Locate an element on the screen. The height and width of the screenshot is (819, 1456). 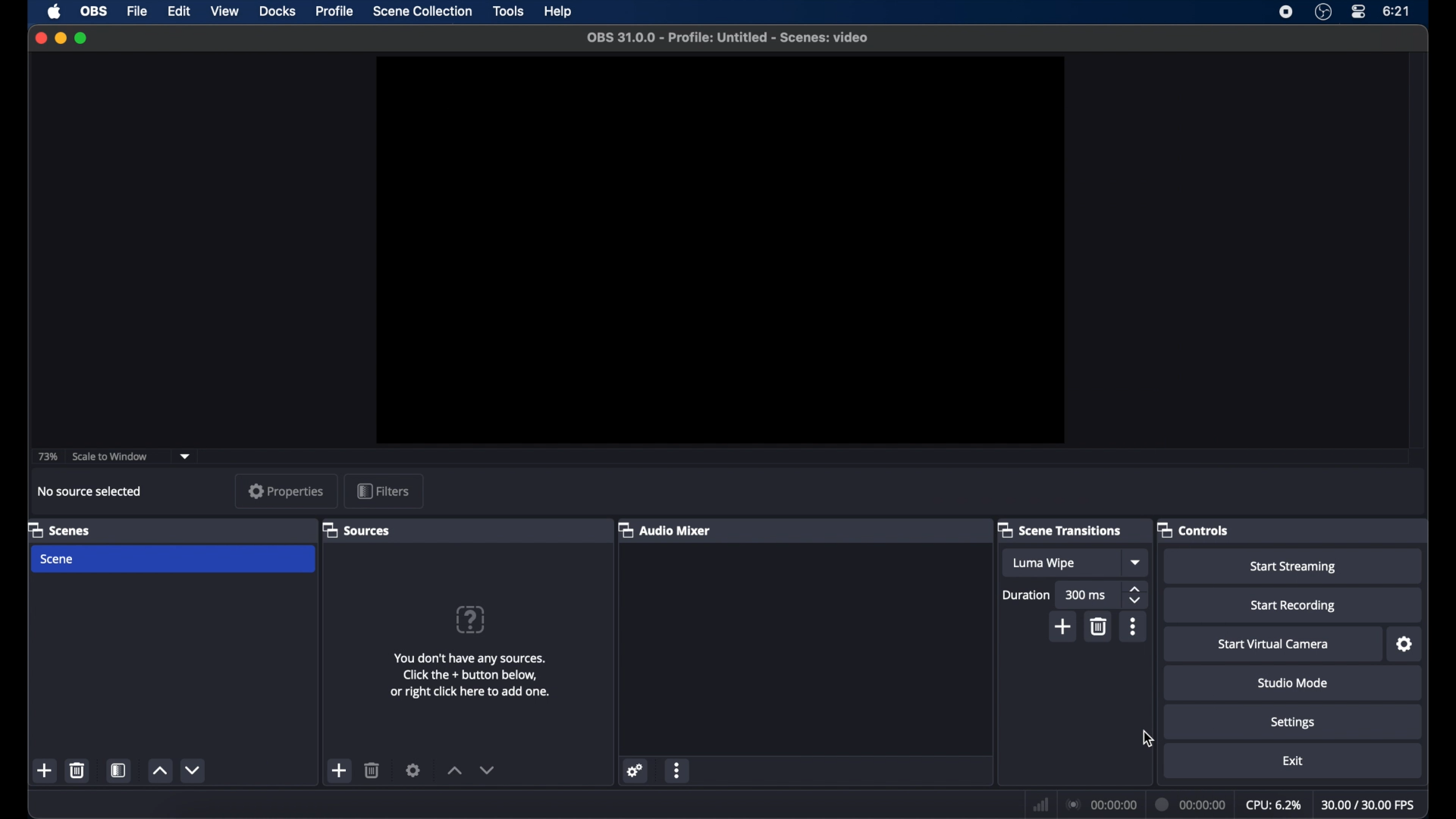
scenes is located at coordinates (58, 529).